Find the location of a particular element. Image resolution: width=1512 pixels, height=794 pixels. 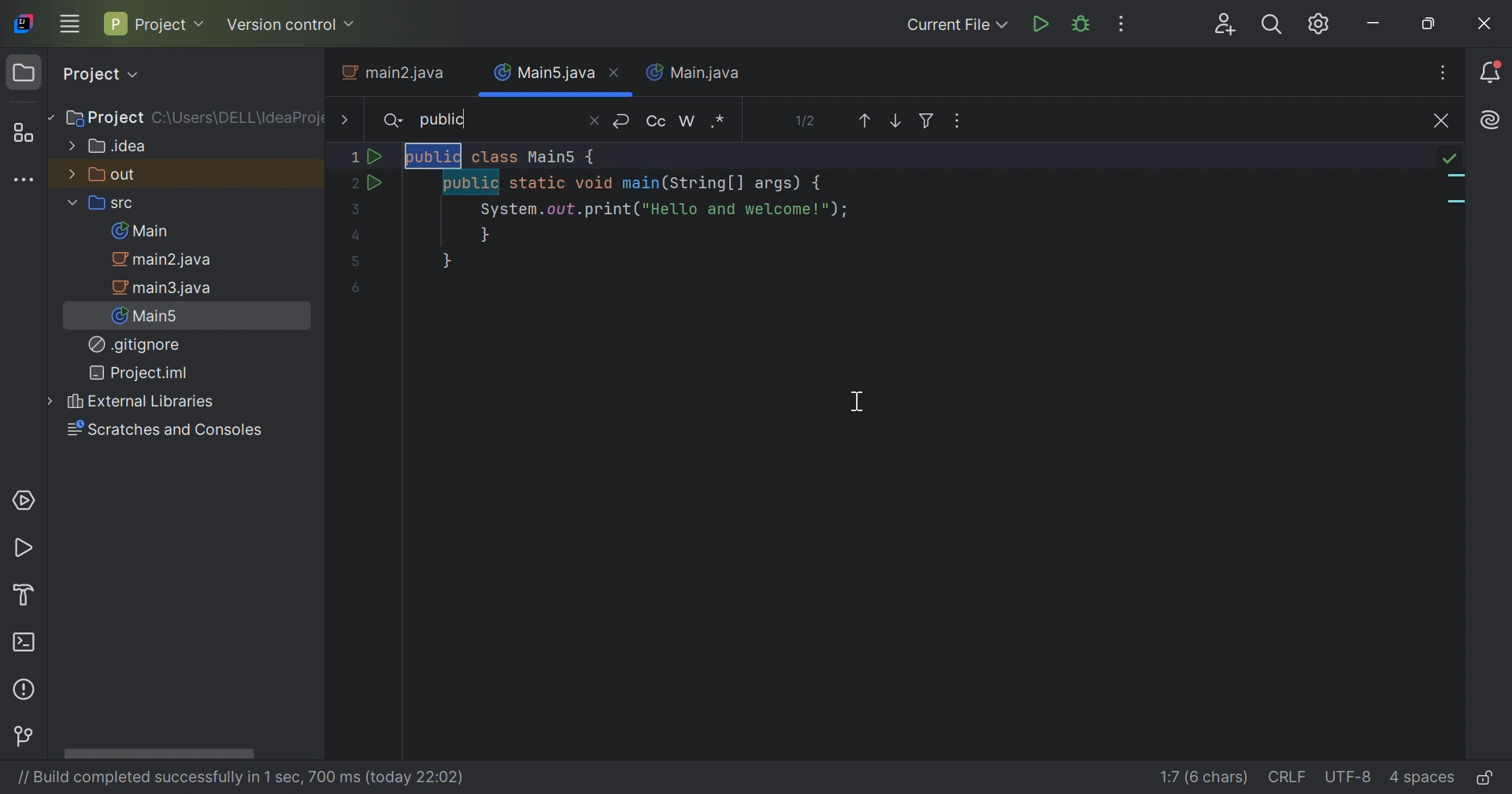

Structure is located at coordinates (27, 134).